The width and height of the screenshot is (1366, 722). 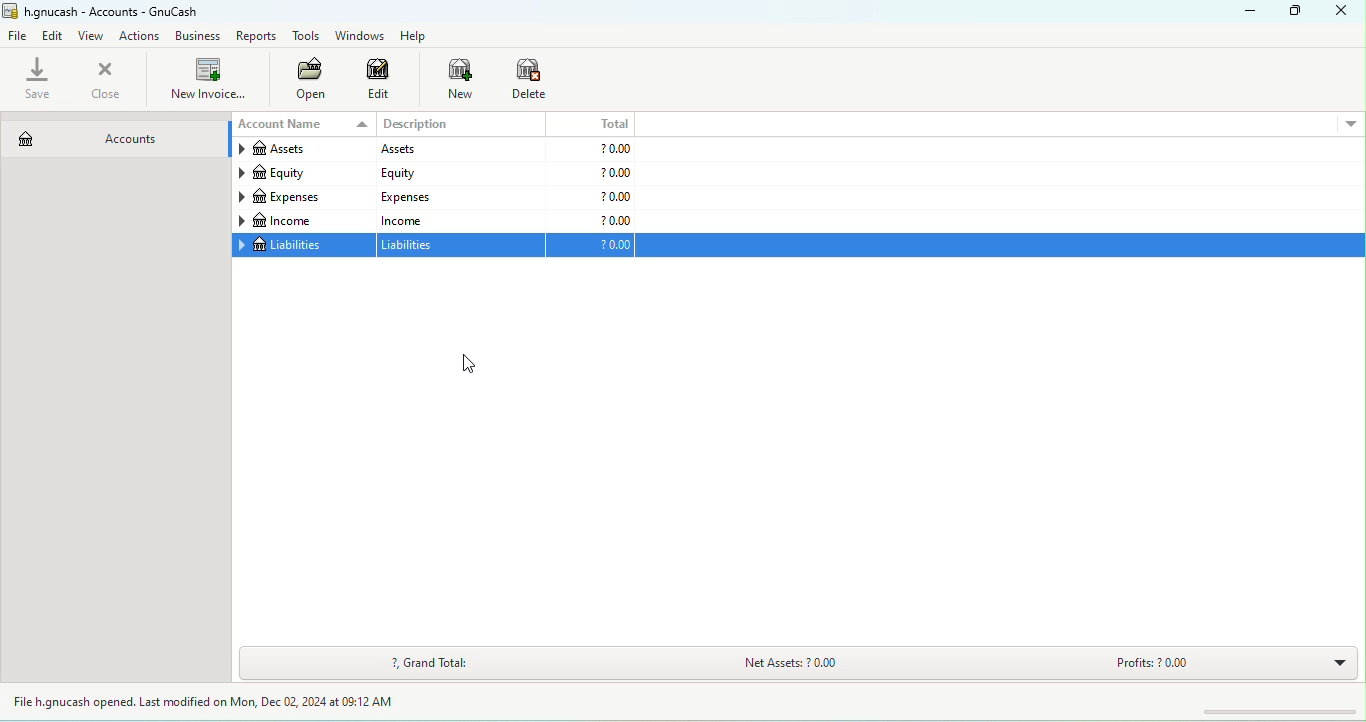 I want to click on tools, so click(x=307, y=38).